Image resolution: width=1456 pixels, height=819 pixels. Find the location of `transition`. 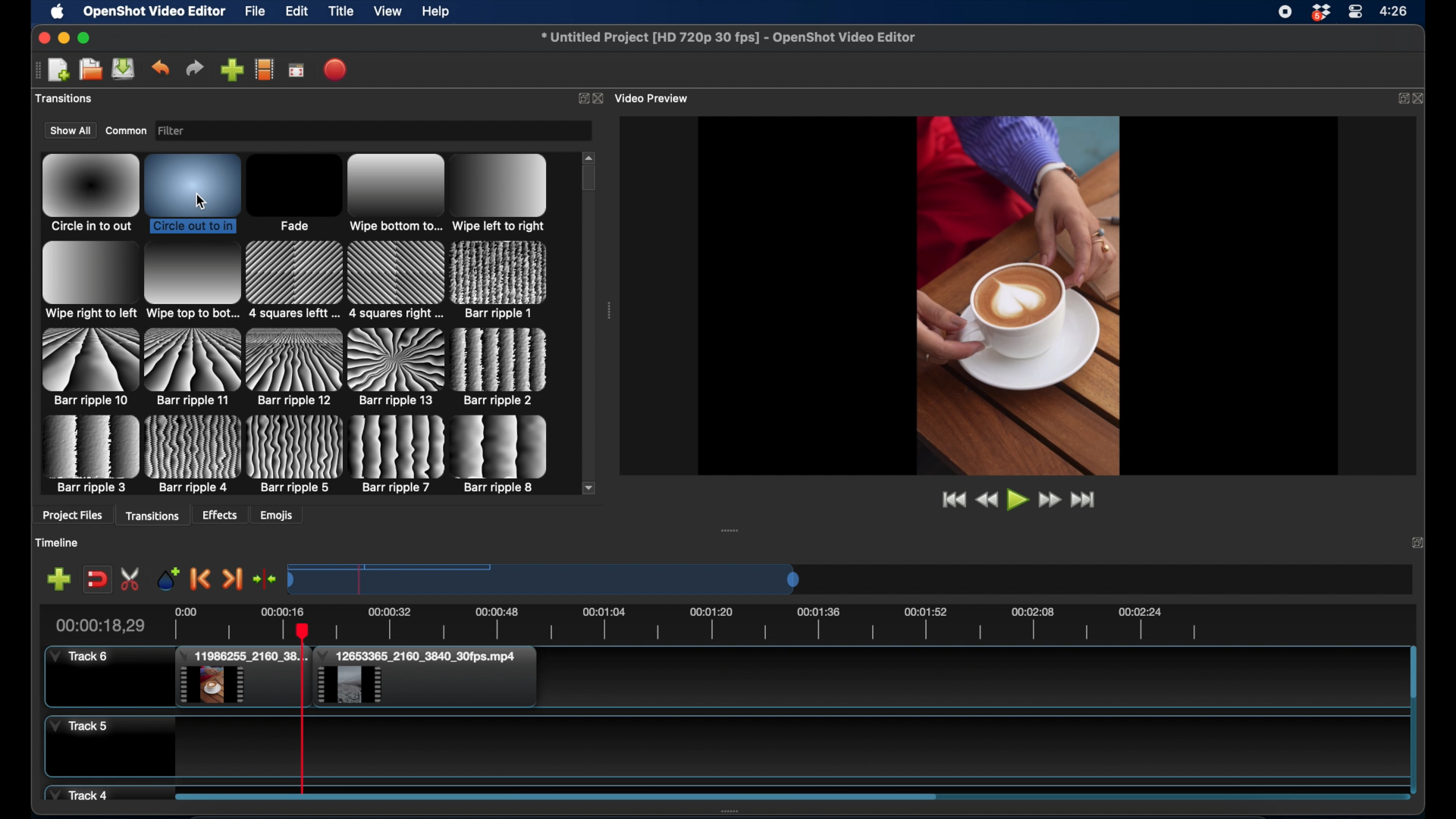

transition is located at coordinates (397, 368).